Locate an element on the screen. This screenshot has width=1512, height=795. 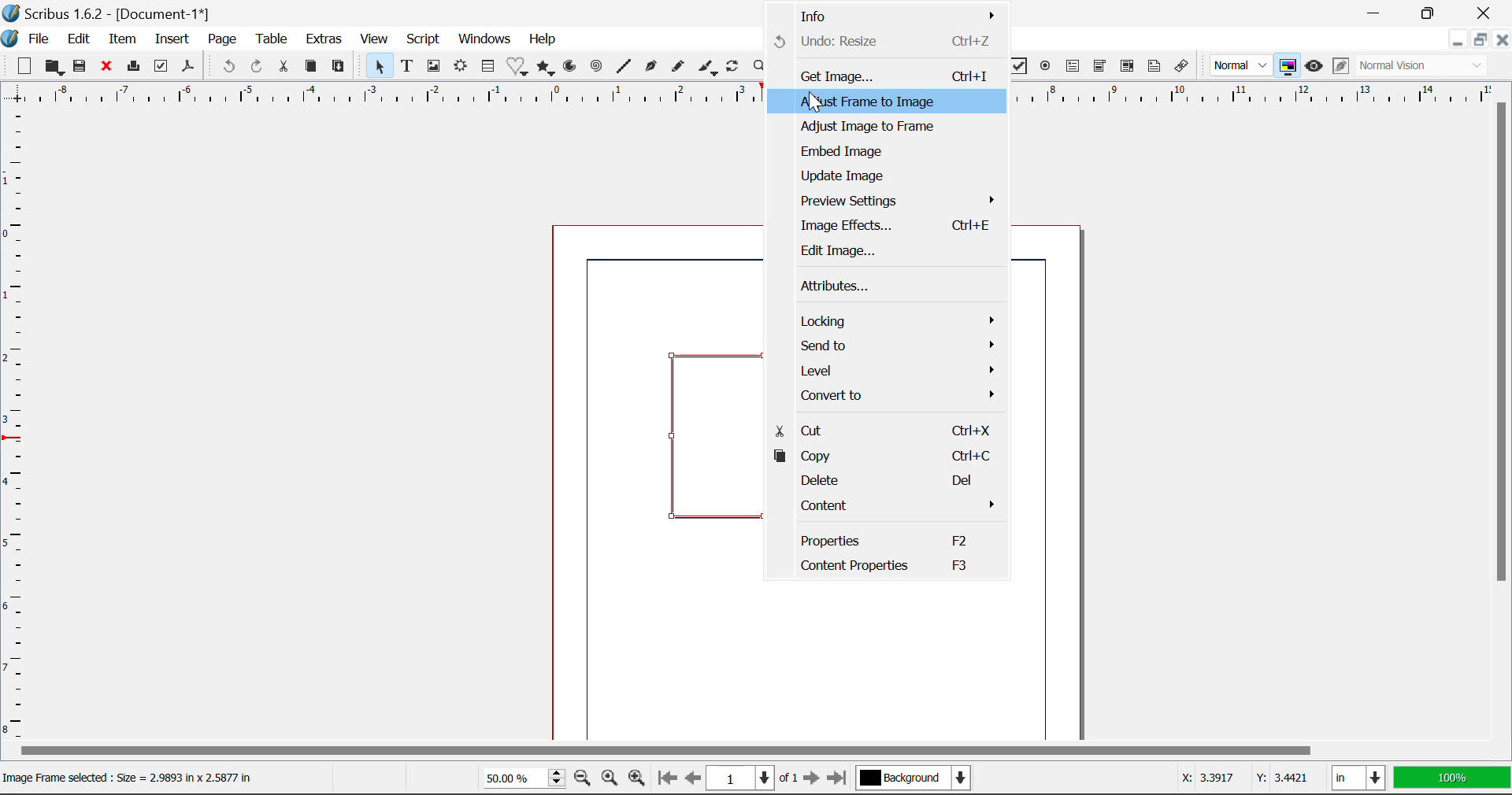
Minimize is located at coordinates (1432, 13).